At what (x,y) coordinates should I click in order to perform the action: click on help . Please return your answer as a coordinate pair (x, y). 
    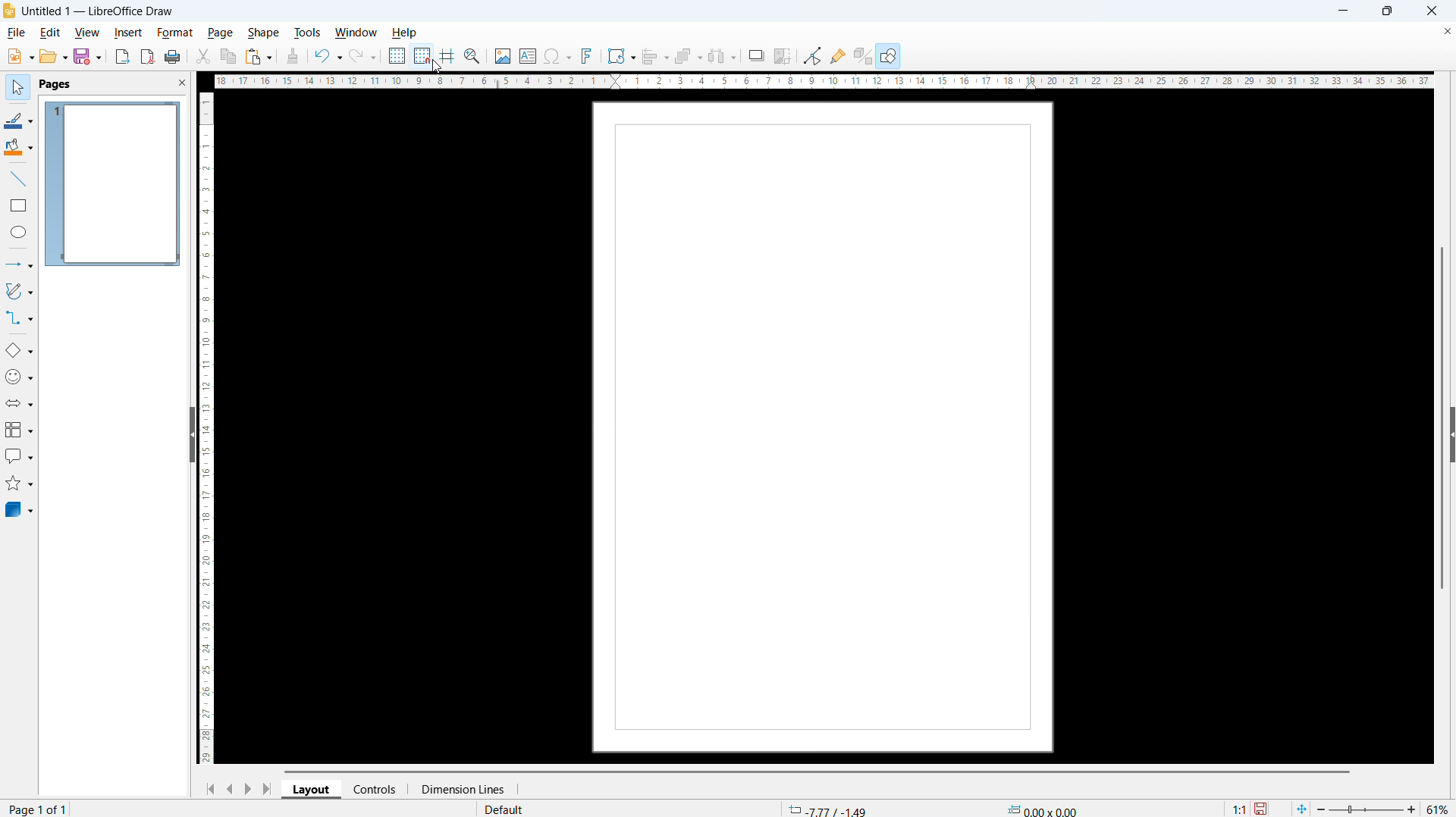
    Looking at the image, I should click on (403, 33).